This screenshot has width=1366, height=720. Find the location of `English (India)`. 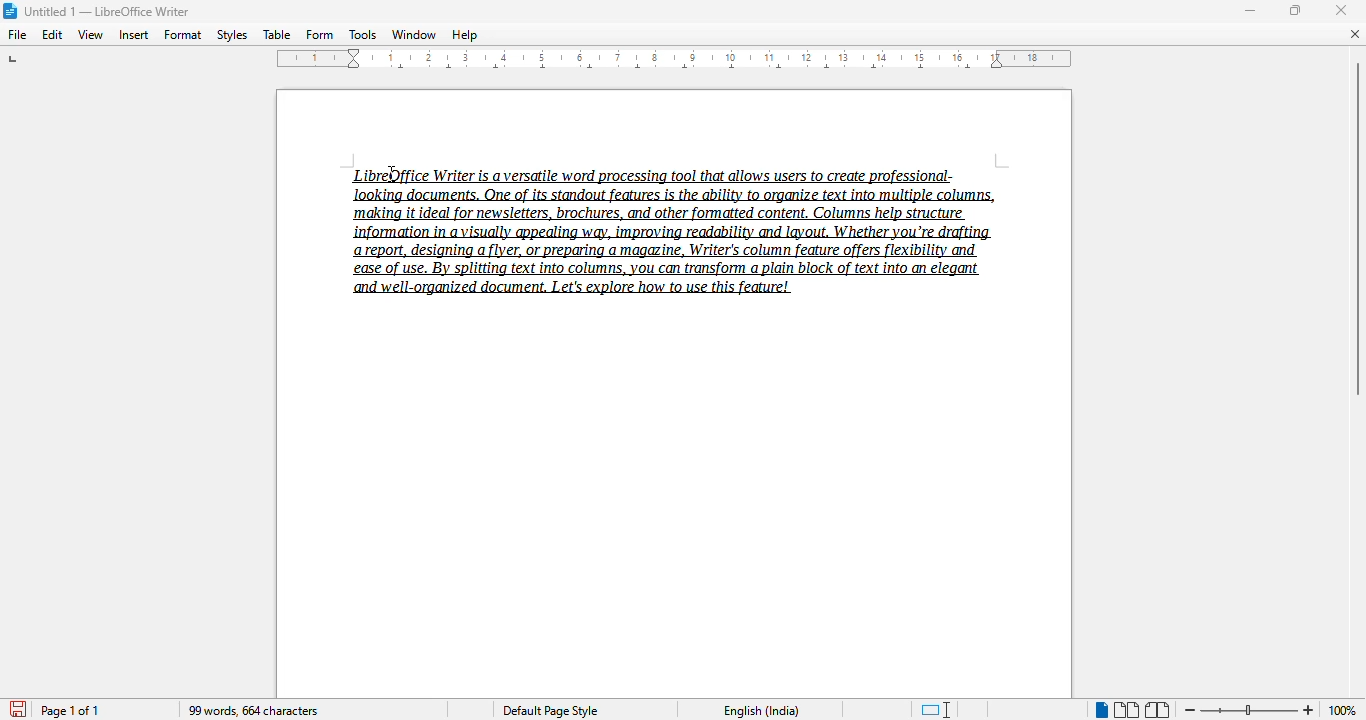

English (India) is located at coordinates (762, 711).